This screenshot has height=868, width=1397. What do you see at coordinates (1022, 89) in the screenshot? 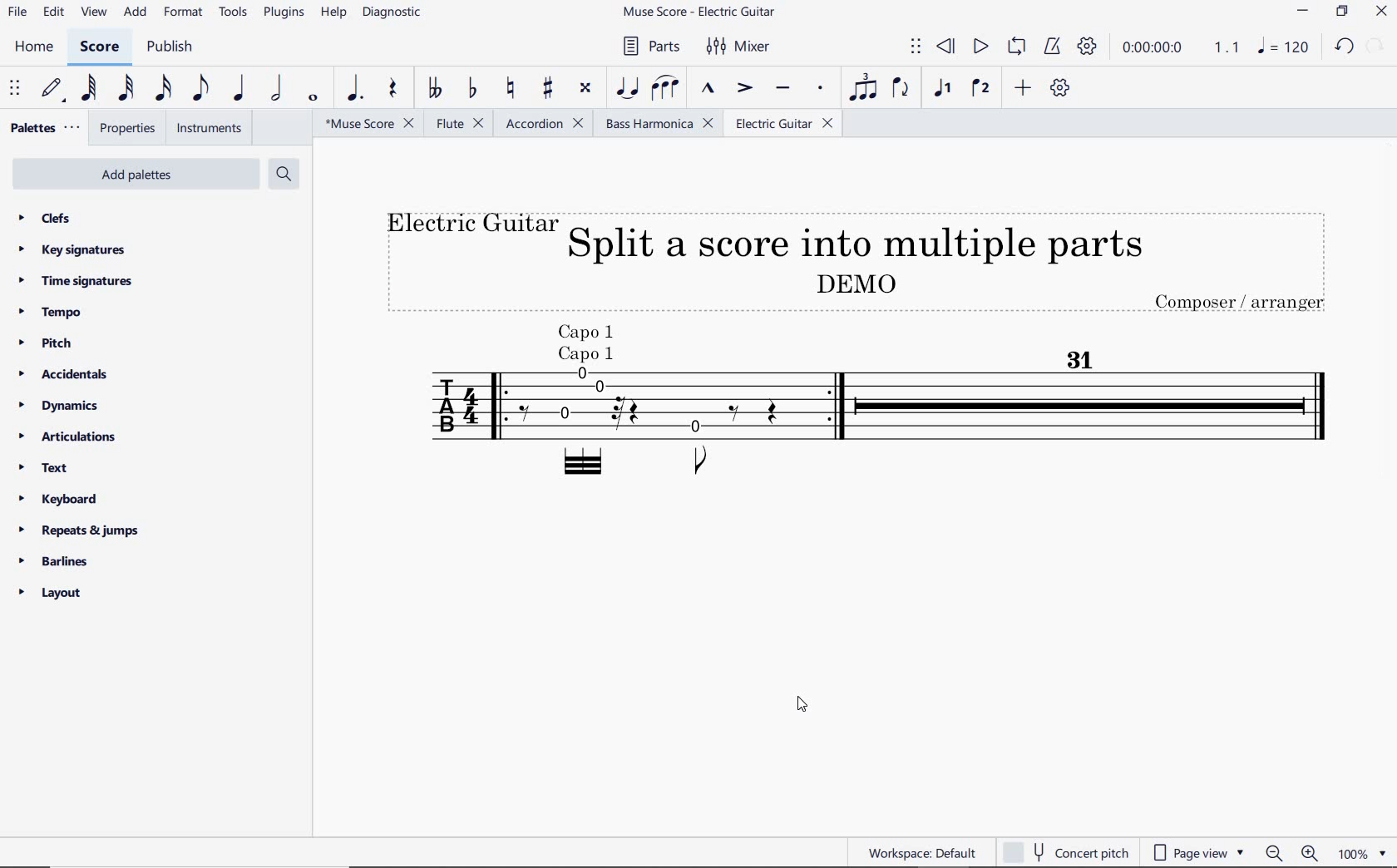
I see `add` at bounding box center [1022, 89].